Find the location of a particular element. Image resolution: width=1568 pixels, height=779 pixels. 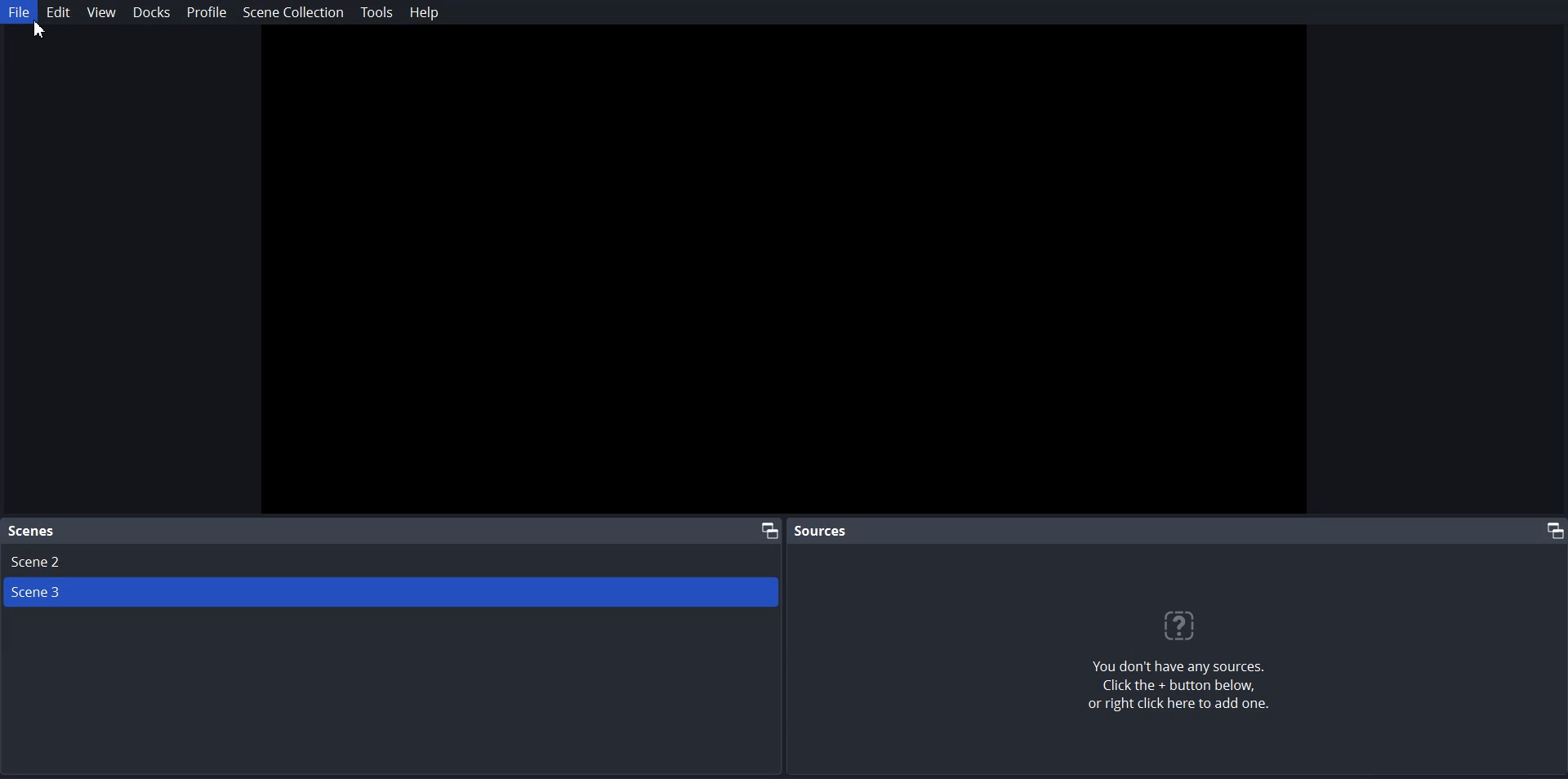

Maximize is located at coordinates (1550, 530).